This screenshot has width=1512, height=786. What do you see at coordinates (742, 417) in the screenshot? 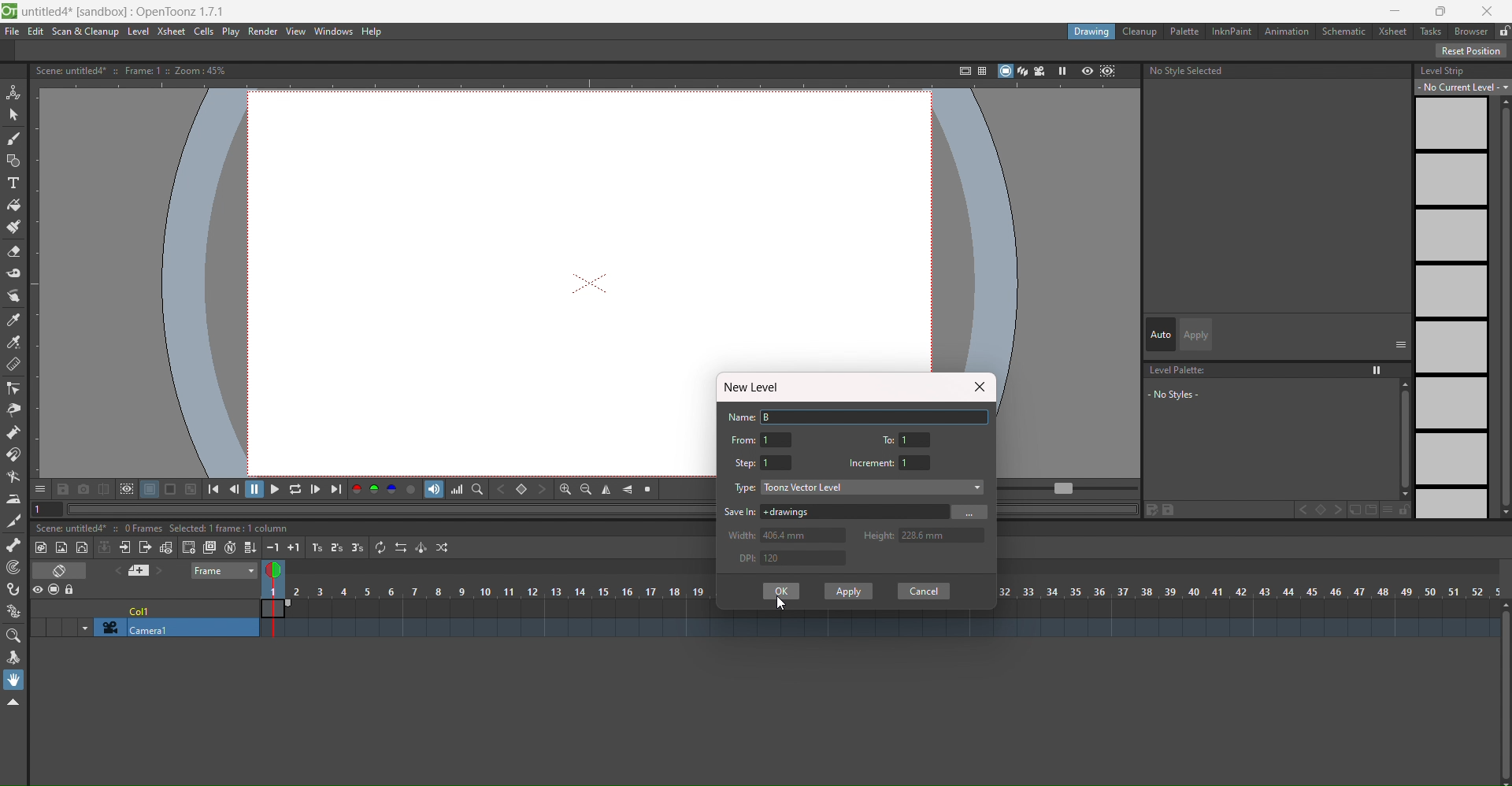
I see `name` at bounding box center [742, 417].